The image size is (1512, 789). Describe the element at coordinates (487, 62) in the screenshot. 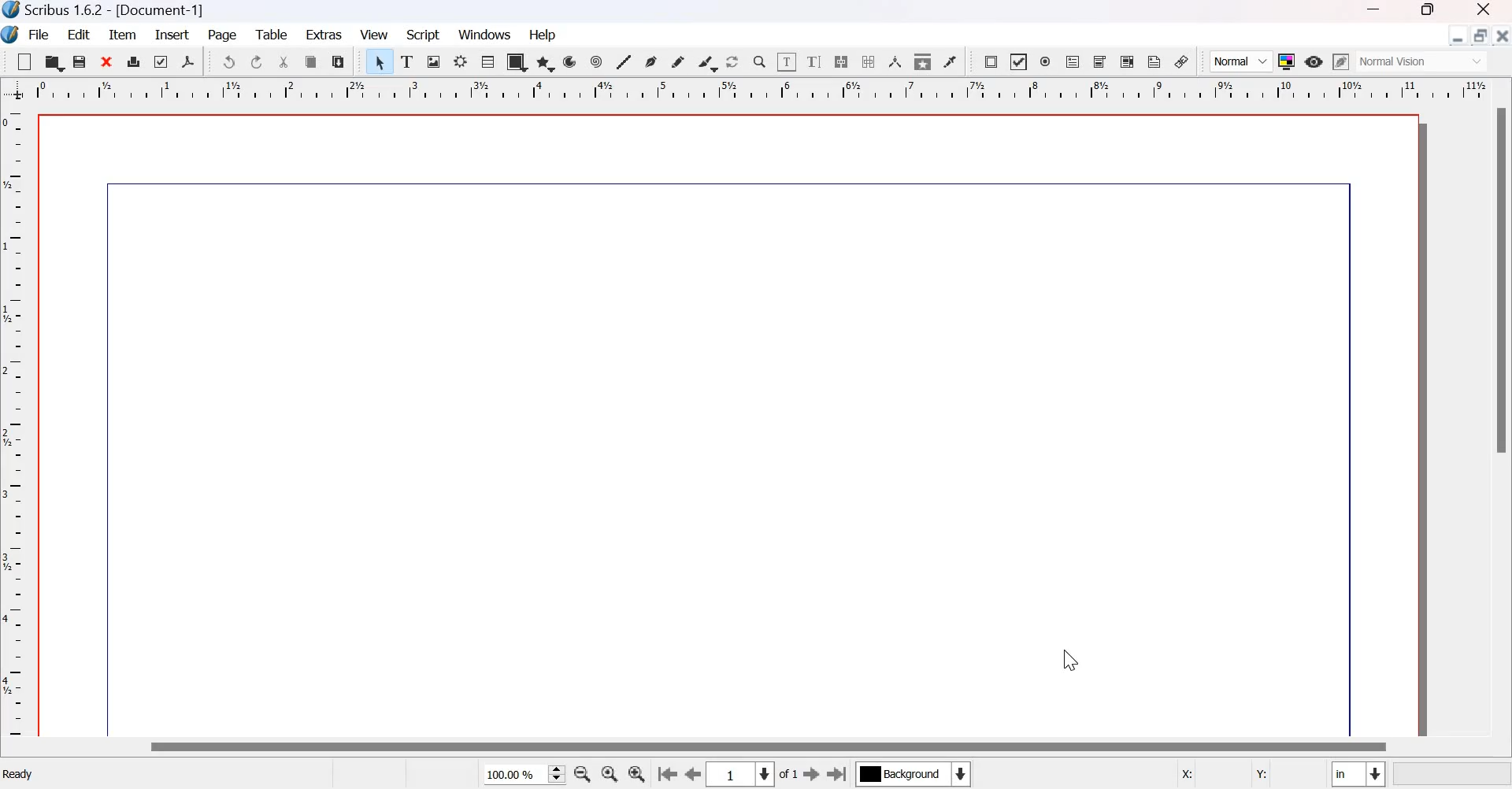

I see `table` at that location.